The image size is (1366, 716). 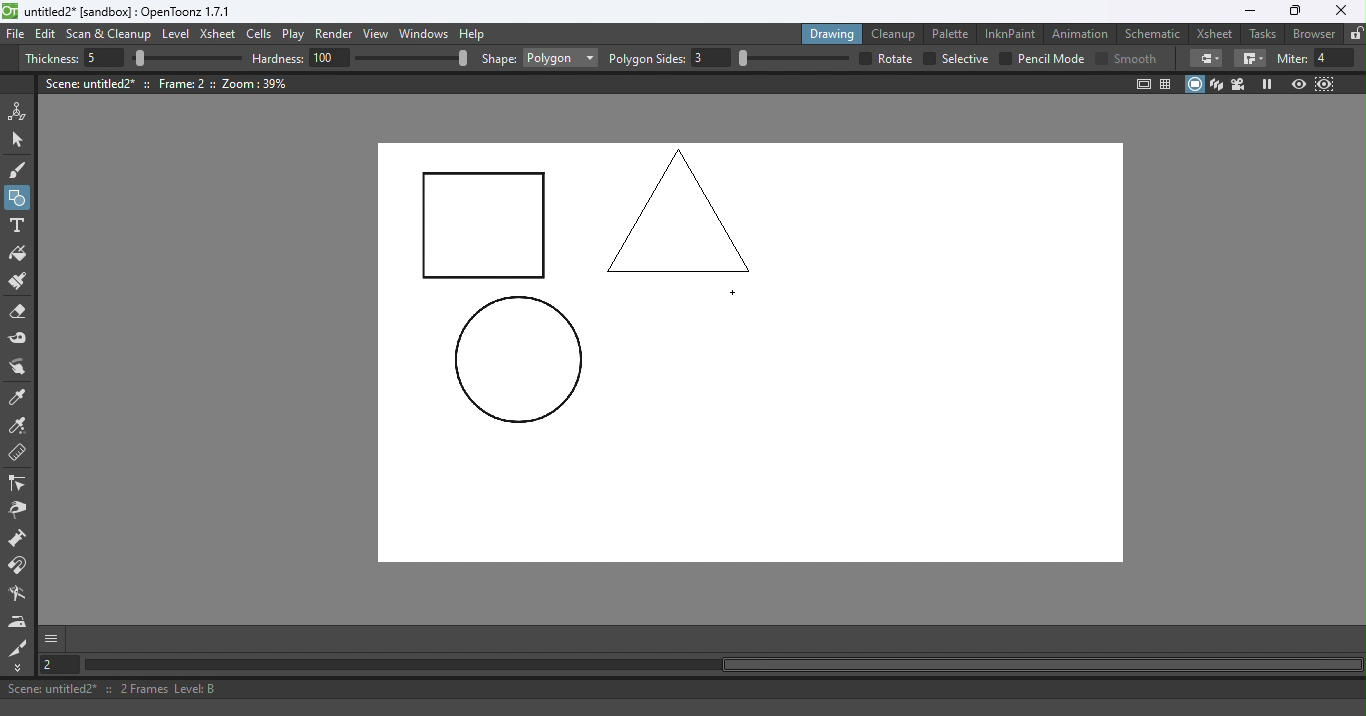 I want to click on hardness, so click(x=280, y=58).